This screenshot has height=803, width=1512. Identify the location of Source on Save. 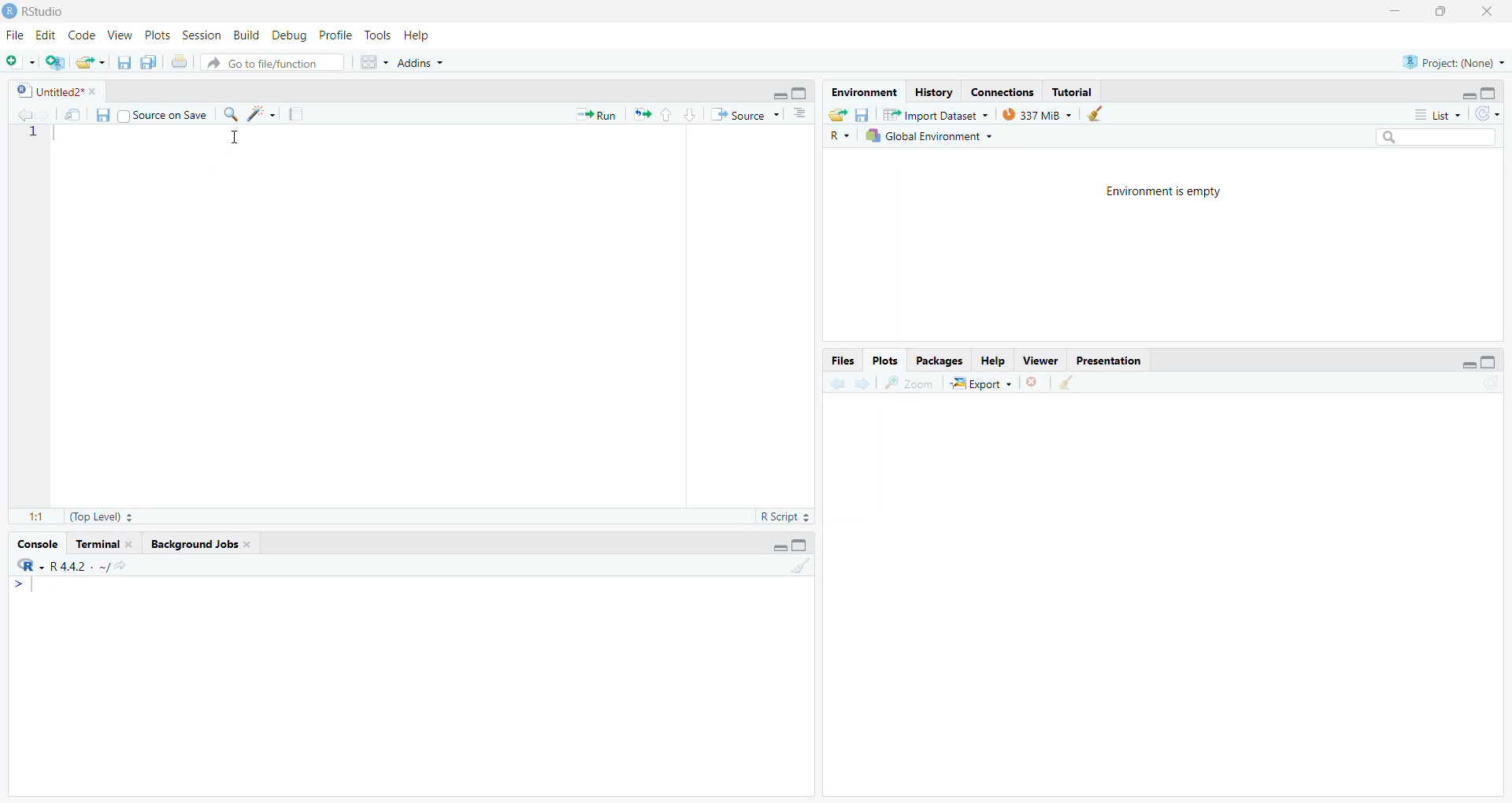
(161, 117).